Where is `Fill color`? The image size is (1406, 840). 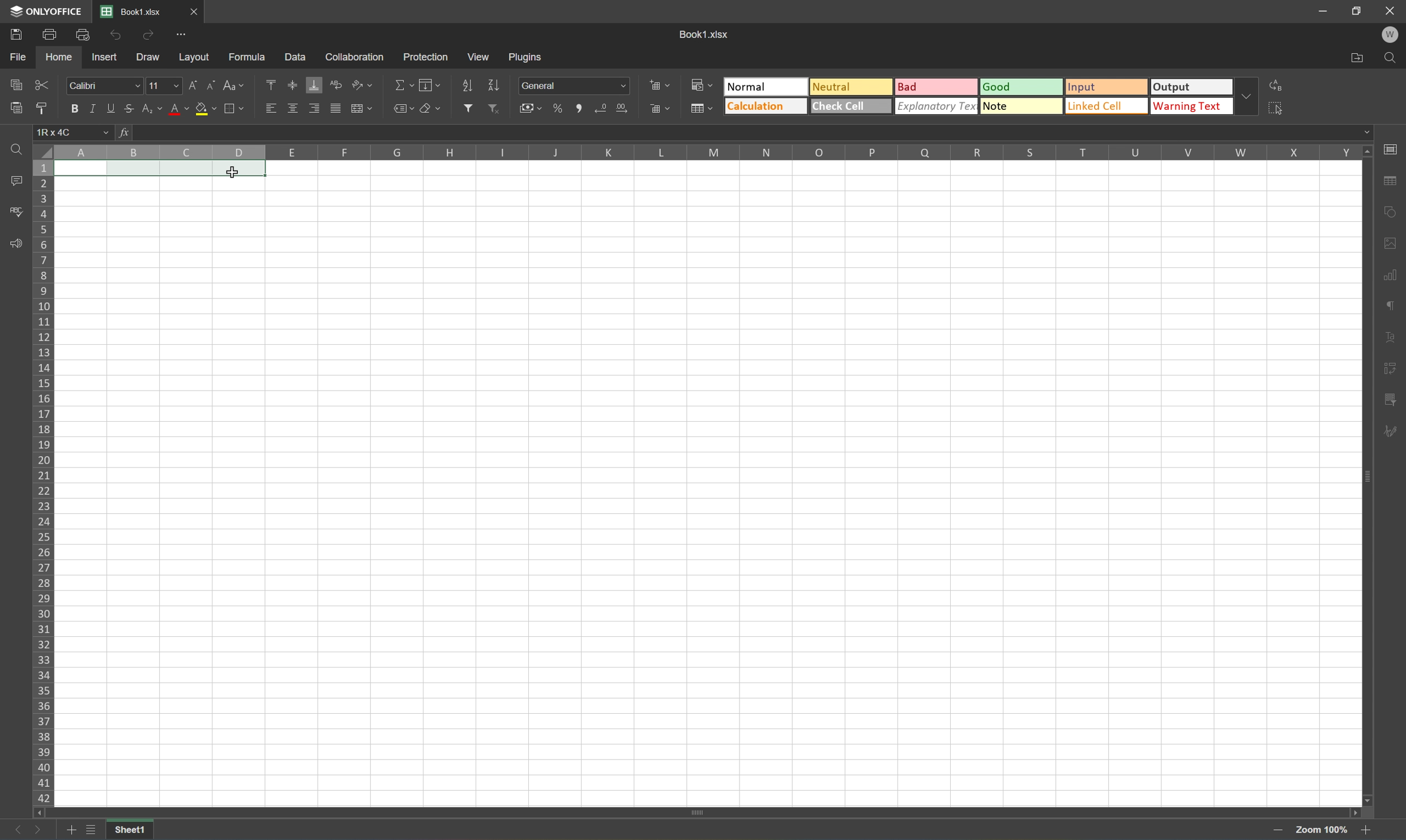 Fill color is located at coordinates (206, 109).